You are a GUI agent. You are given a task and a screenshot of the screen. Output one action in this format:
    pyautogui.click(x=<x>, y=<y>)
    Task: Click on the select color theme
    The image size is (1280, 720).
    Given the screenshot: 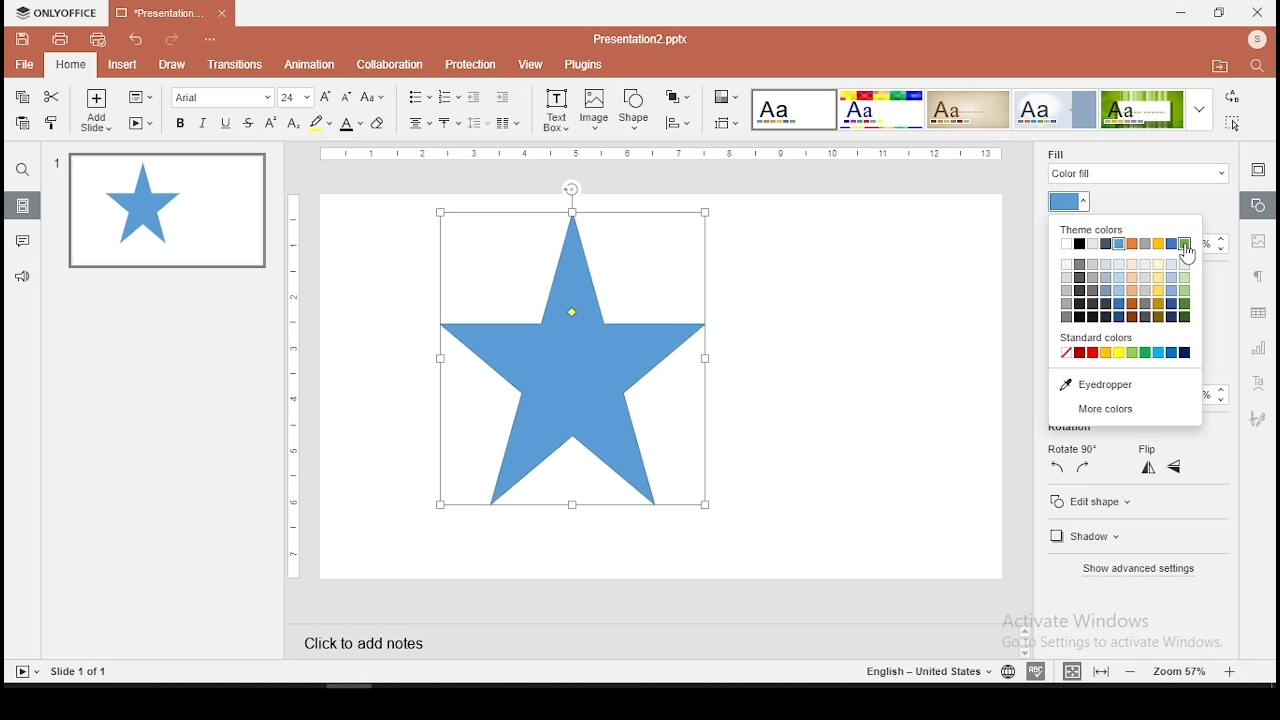 What is the action you would take?
    pyautogui.click(x=727, y=98)
    